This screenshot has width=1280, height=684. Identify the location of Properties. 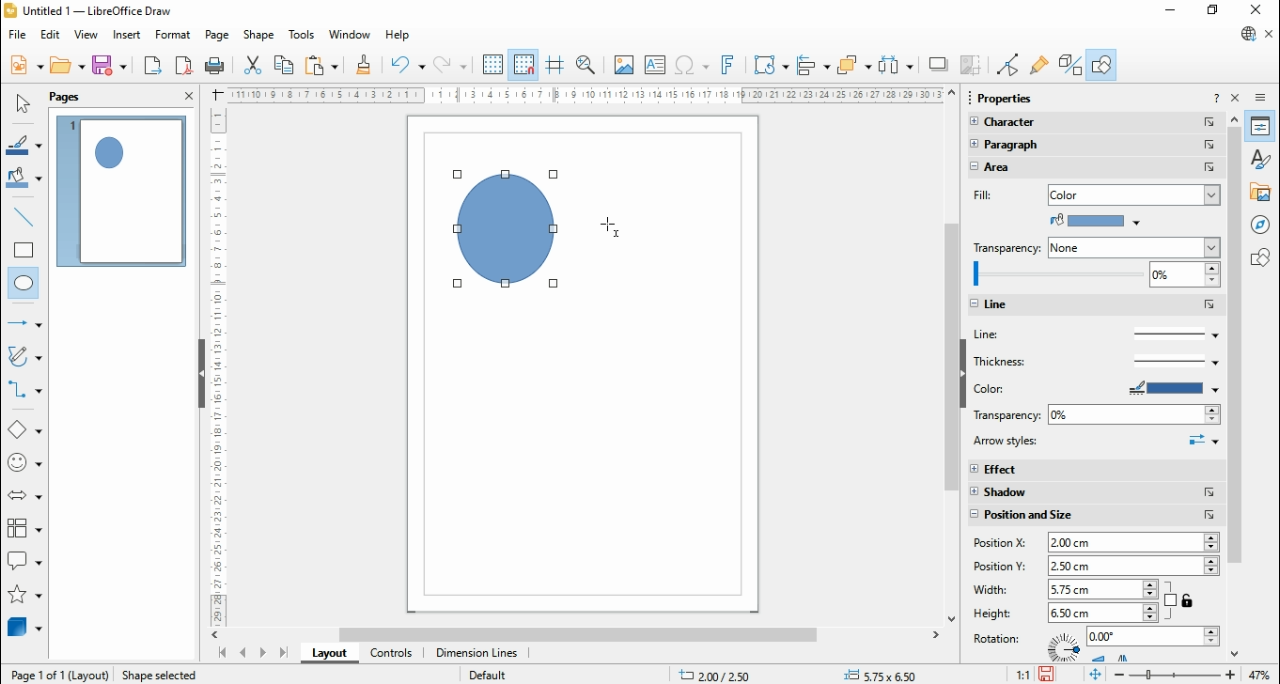
(1005, 98).